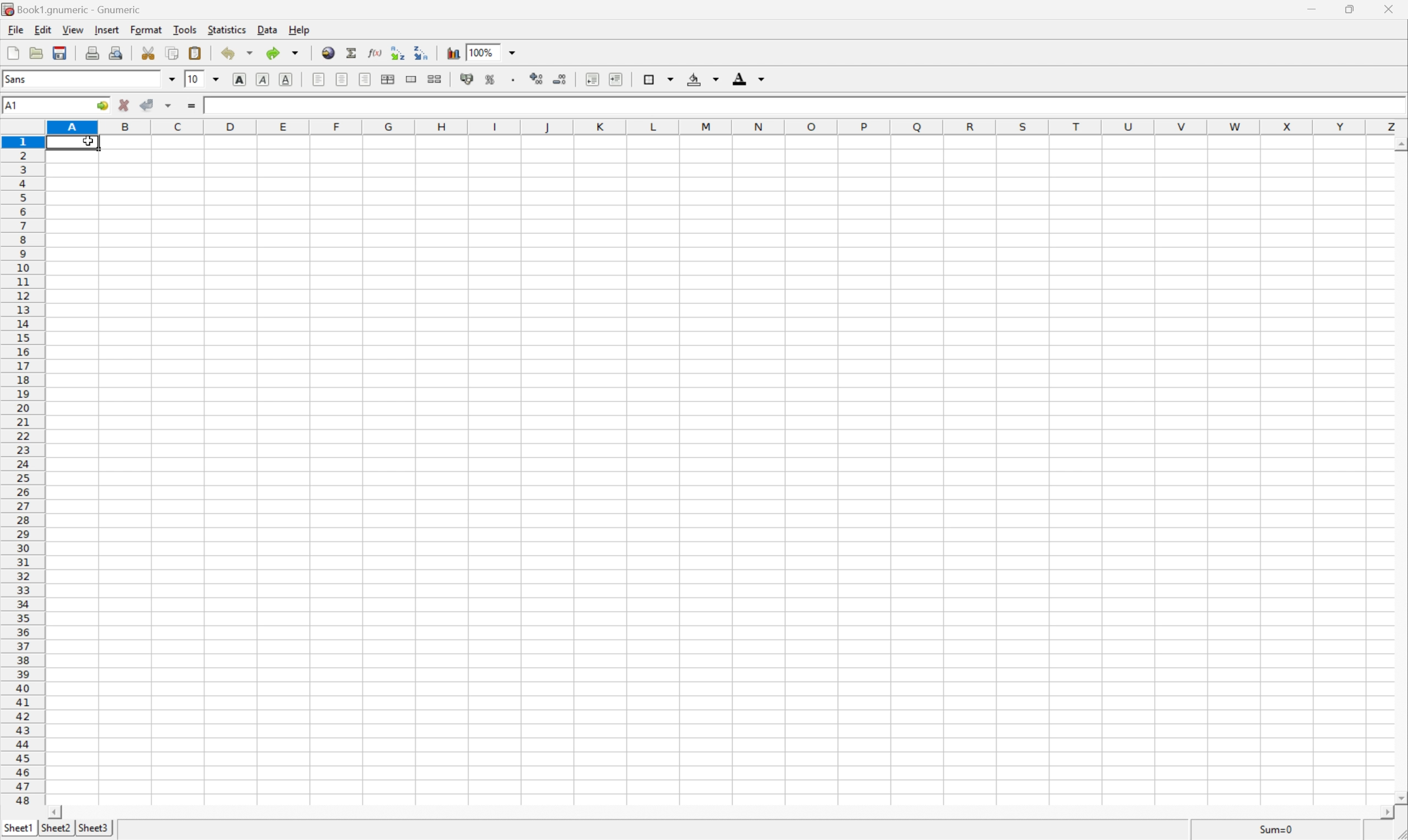 The width and height of the screenshot is (1408, 840). I want to click on Sort the selected region in ascending order based on the first column selected, so click(397, 50).